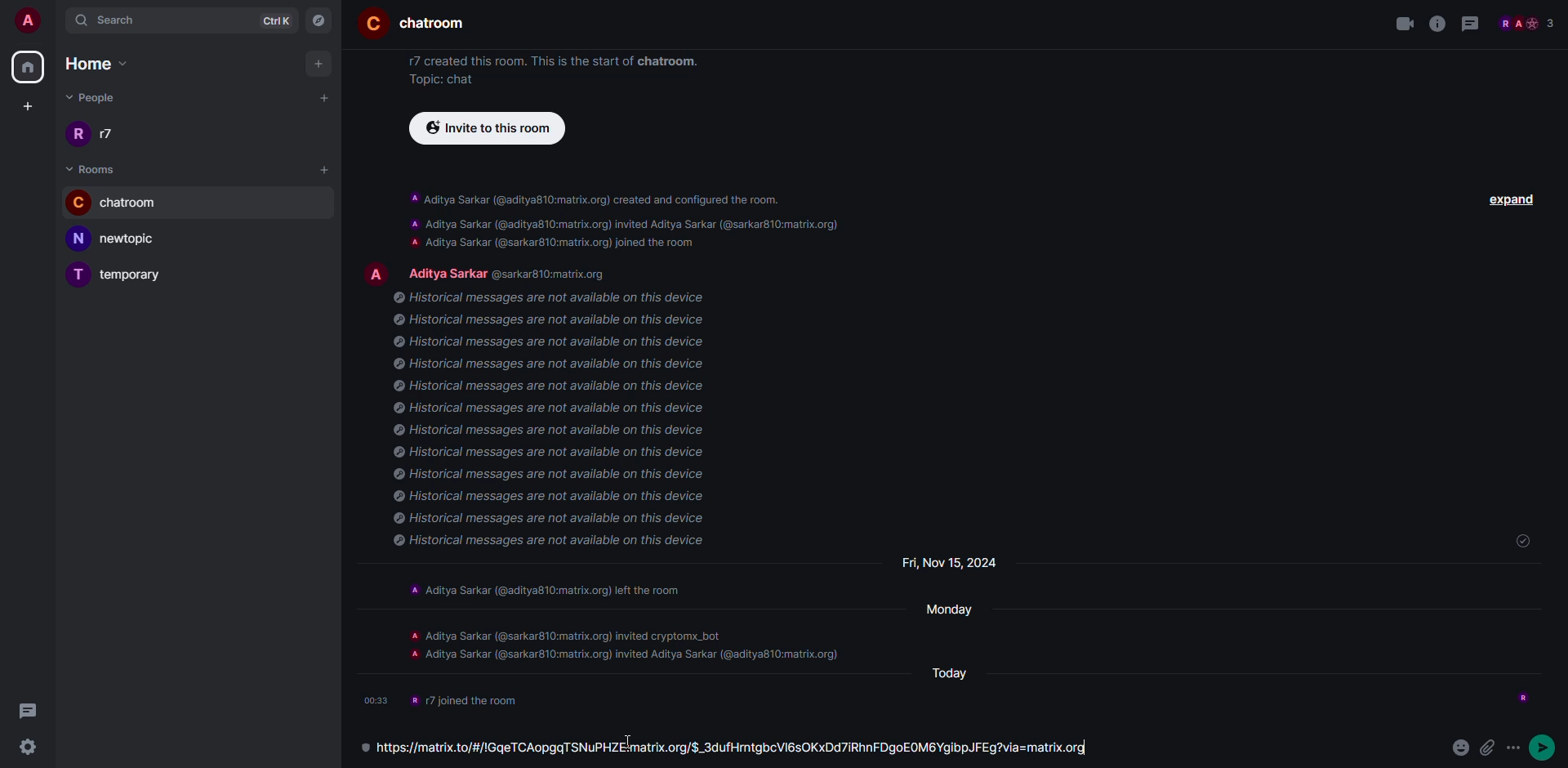 The image size is (1568, 768). Describe the element at coordinates (485, 128) in the screenshot. I see `invite` at that location.